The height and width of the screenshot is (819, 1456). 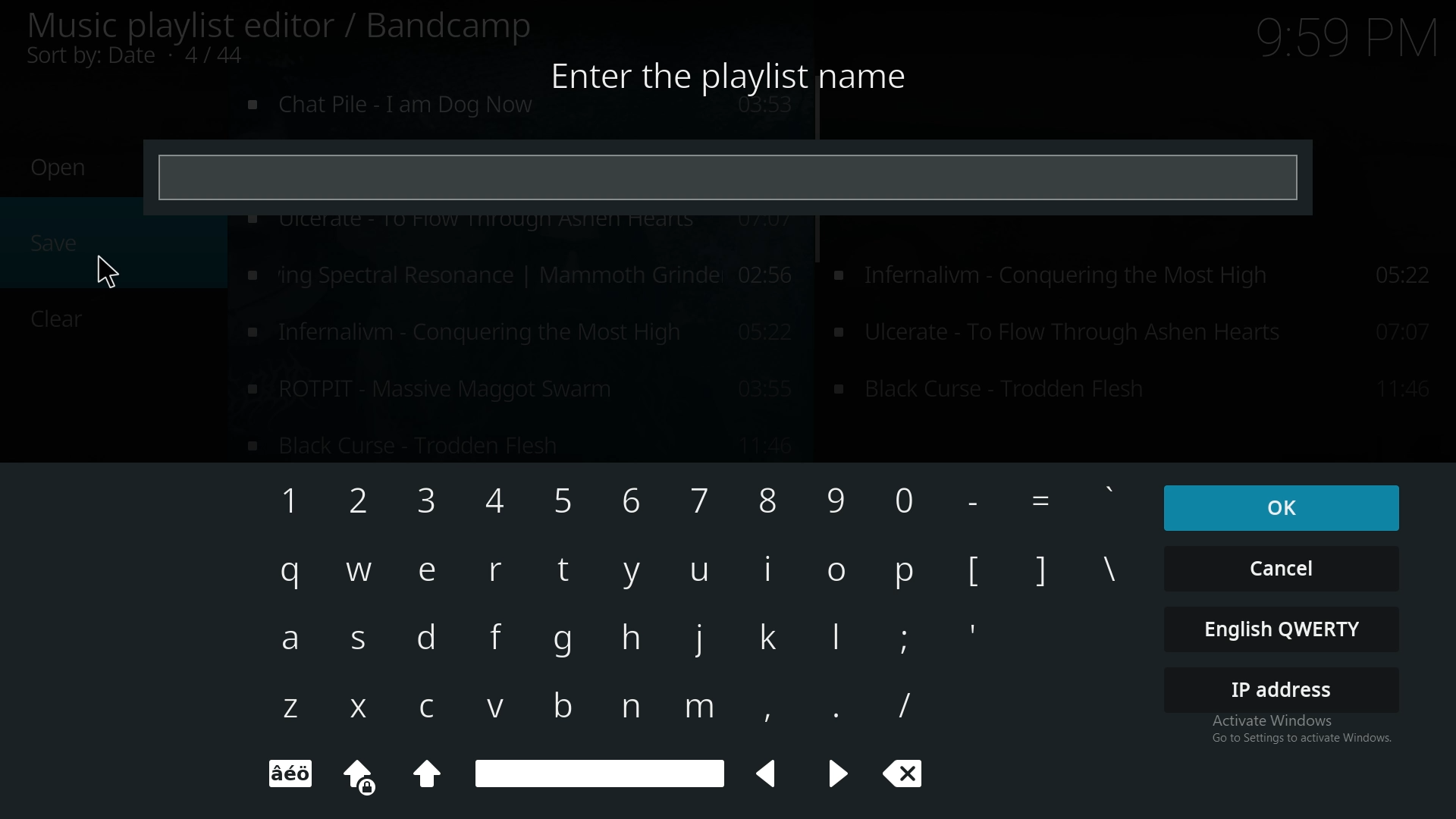 I want to click on music, so click(x=516, y=333).